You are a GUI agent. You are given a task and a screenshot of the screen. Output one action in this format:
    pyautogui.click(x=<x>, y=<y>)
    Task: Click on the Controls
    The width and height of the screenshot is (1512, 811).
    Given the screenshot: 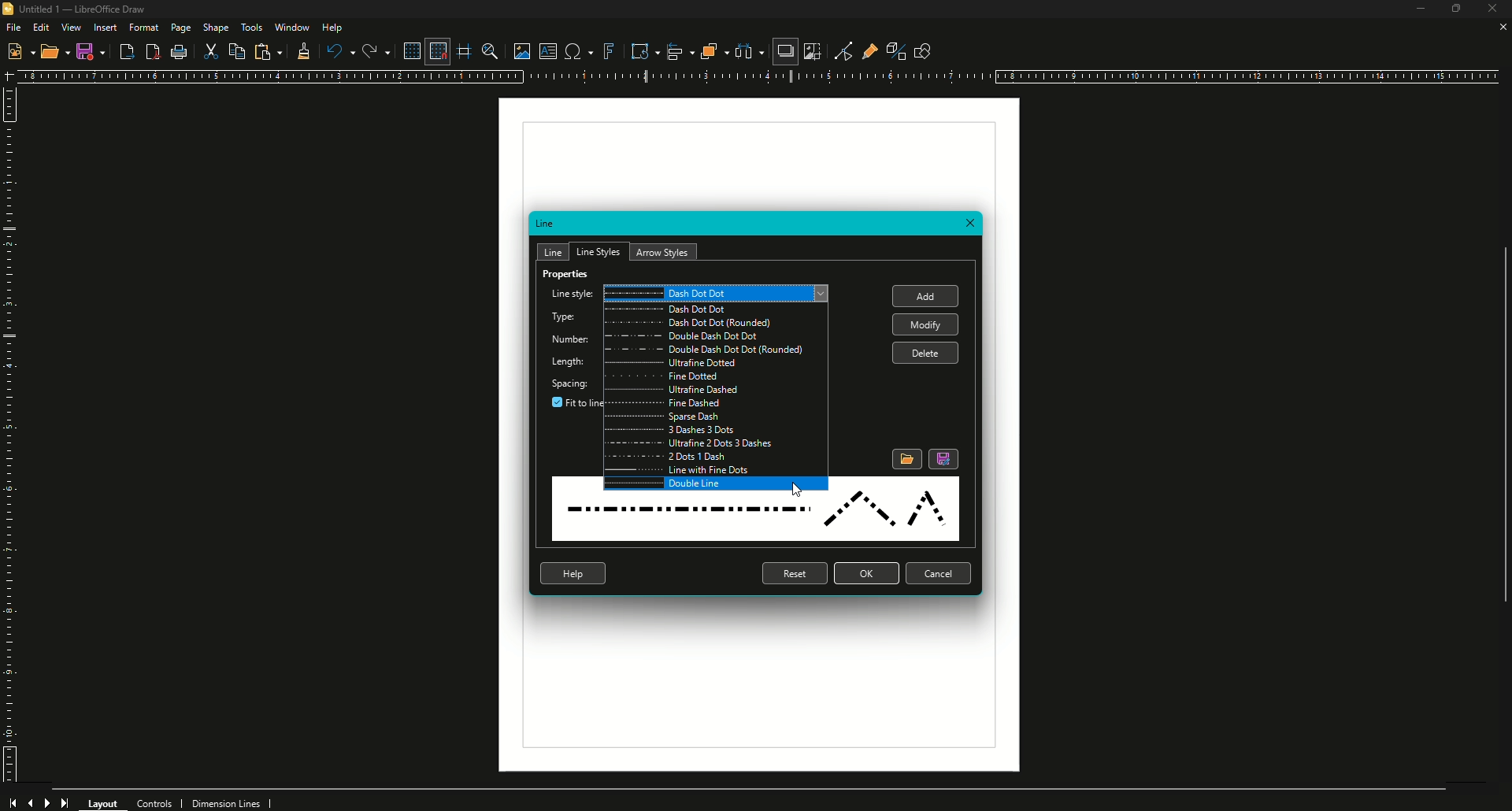 What is the action you would take?
    pyautogui.click(x=159, y=802)
    